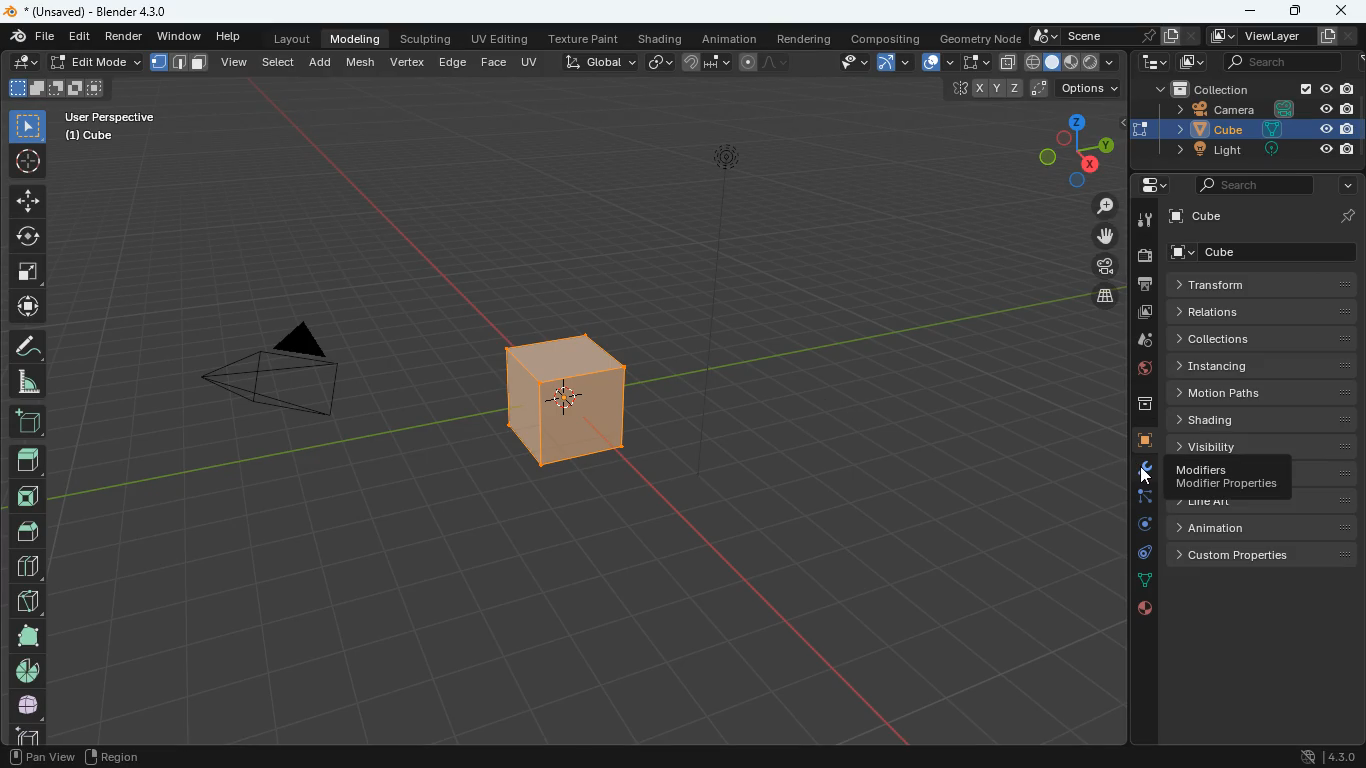 This screenshot has width=1366, height=768. I want to click on public, so click(1145, 609).